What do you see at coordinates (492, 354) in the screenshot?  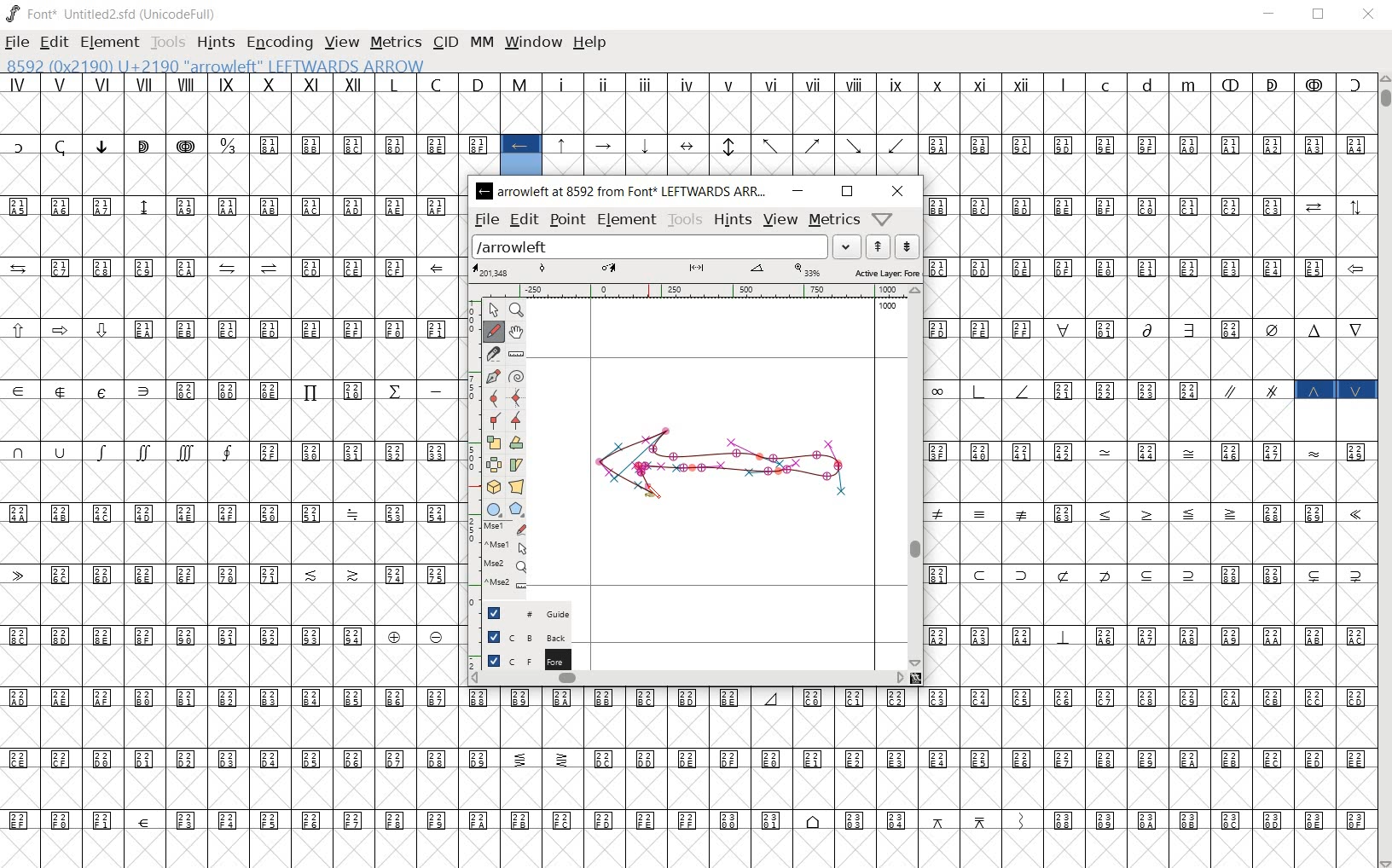 I see `cut splines in two` at bounding box center [492, 354].